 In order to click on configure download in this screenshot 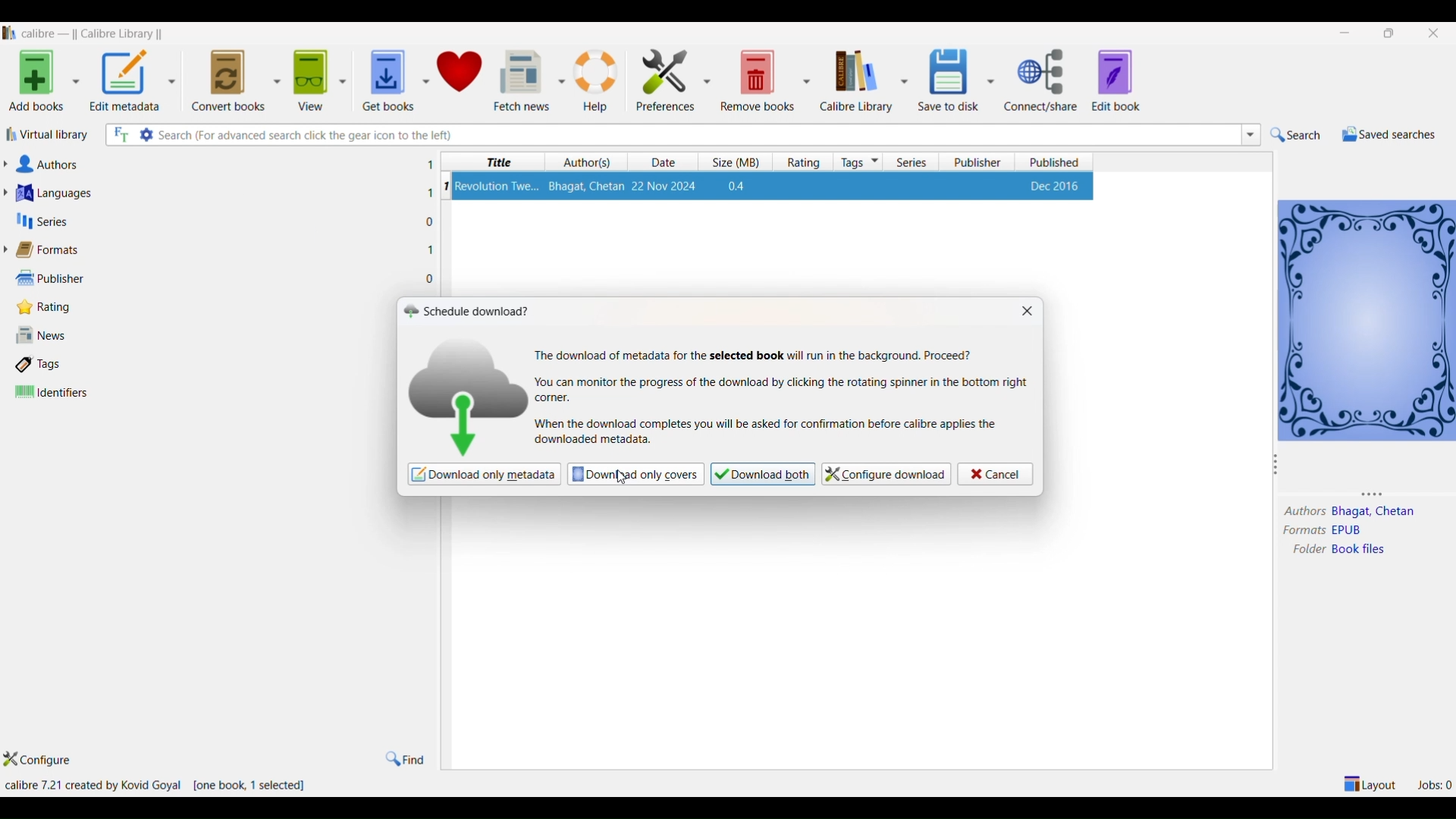, I will do `click(884, 474)`.